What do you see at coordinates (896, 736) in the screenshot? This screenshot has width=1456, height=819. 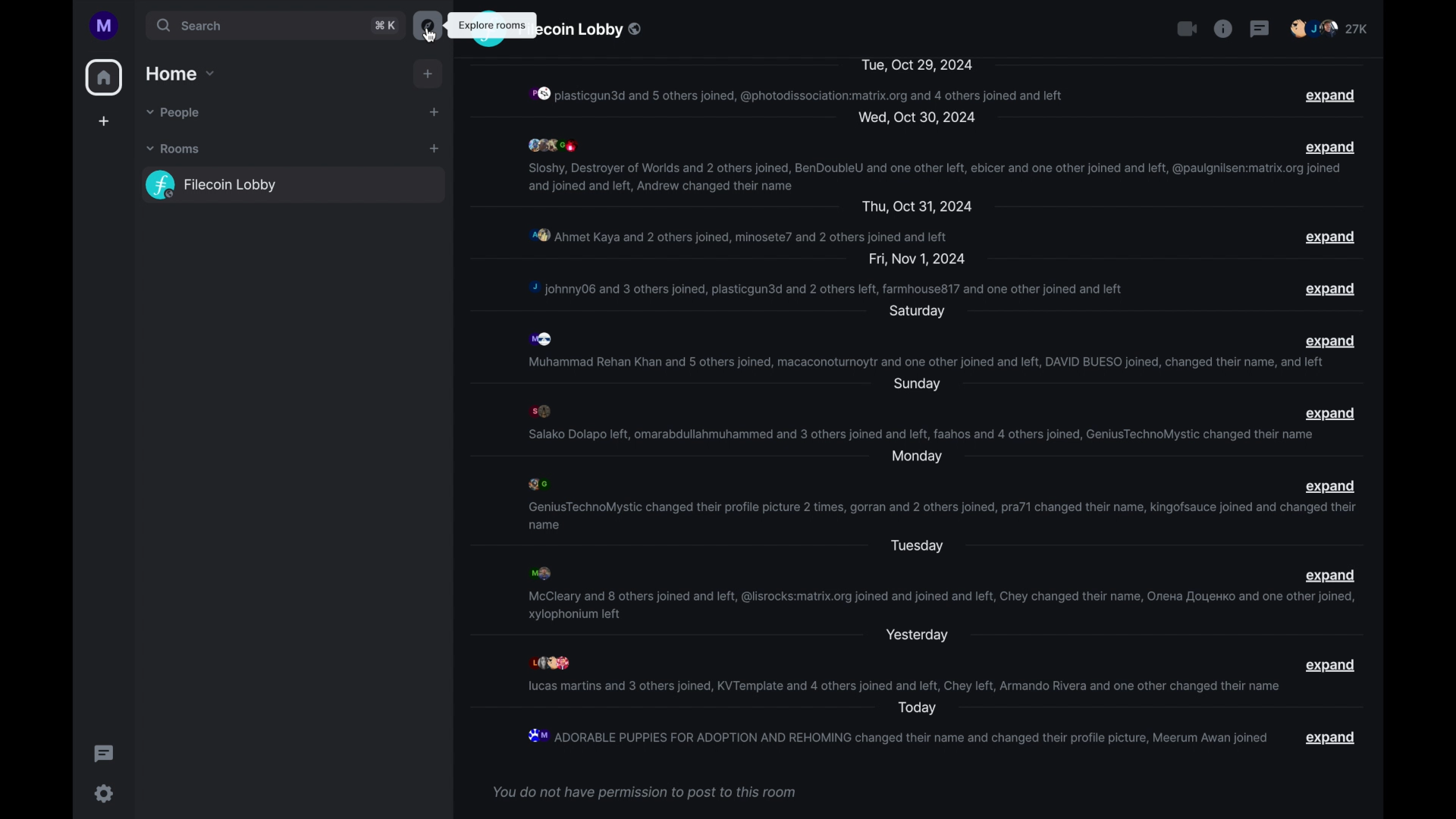 I see `ADORABLE PUPPIES FOR ADOPTION AND REHOMING changed their name and changed their profile picture, Meerum Awan joined` at bounding box center [896, 736].